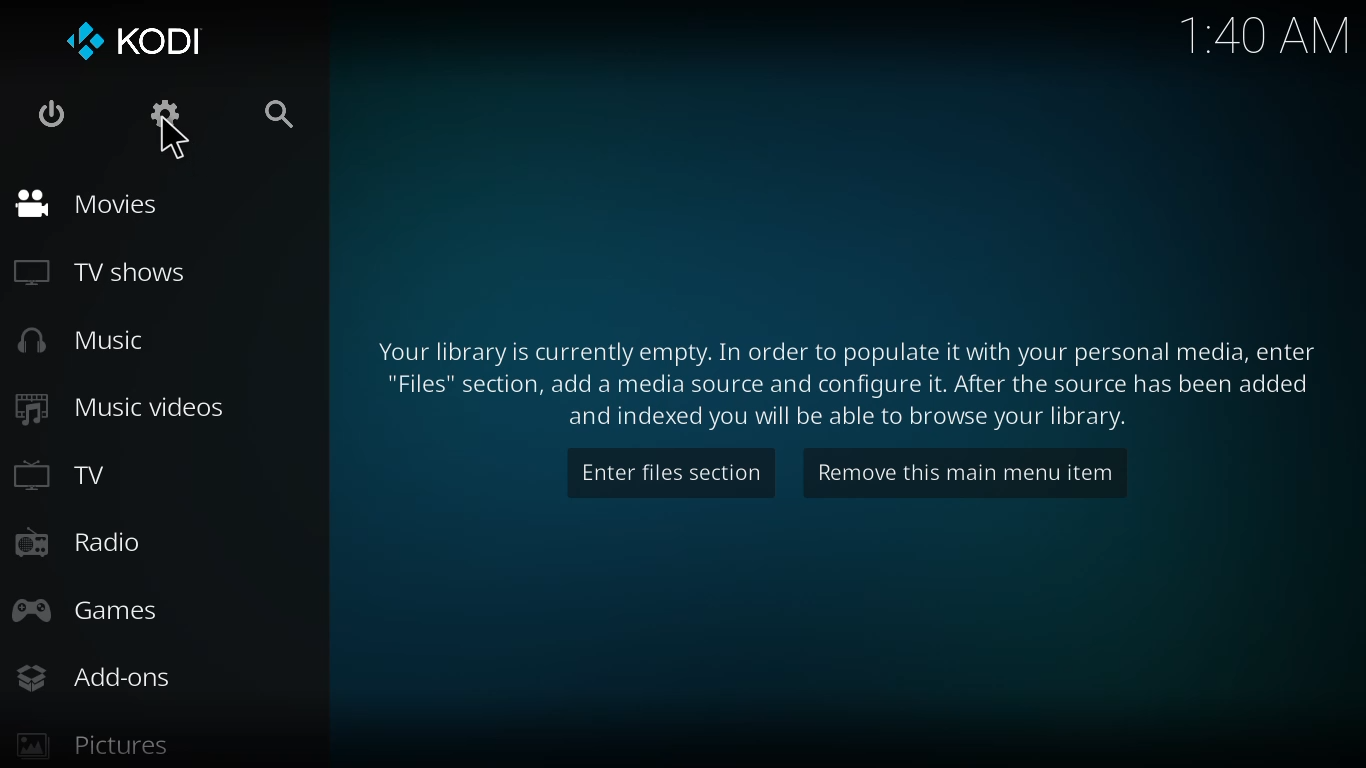 The image size is (1366, 768). Describe the element at coordinates (669, 470) in the screenshot. I see `enter files section` at that location.